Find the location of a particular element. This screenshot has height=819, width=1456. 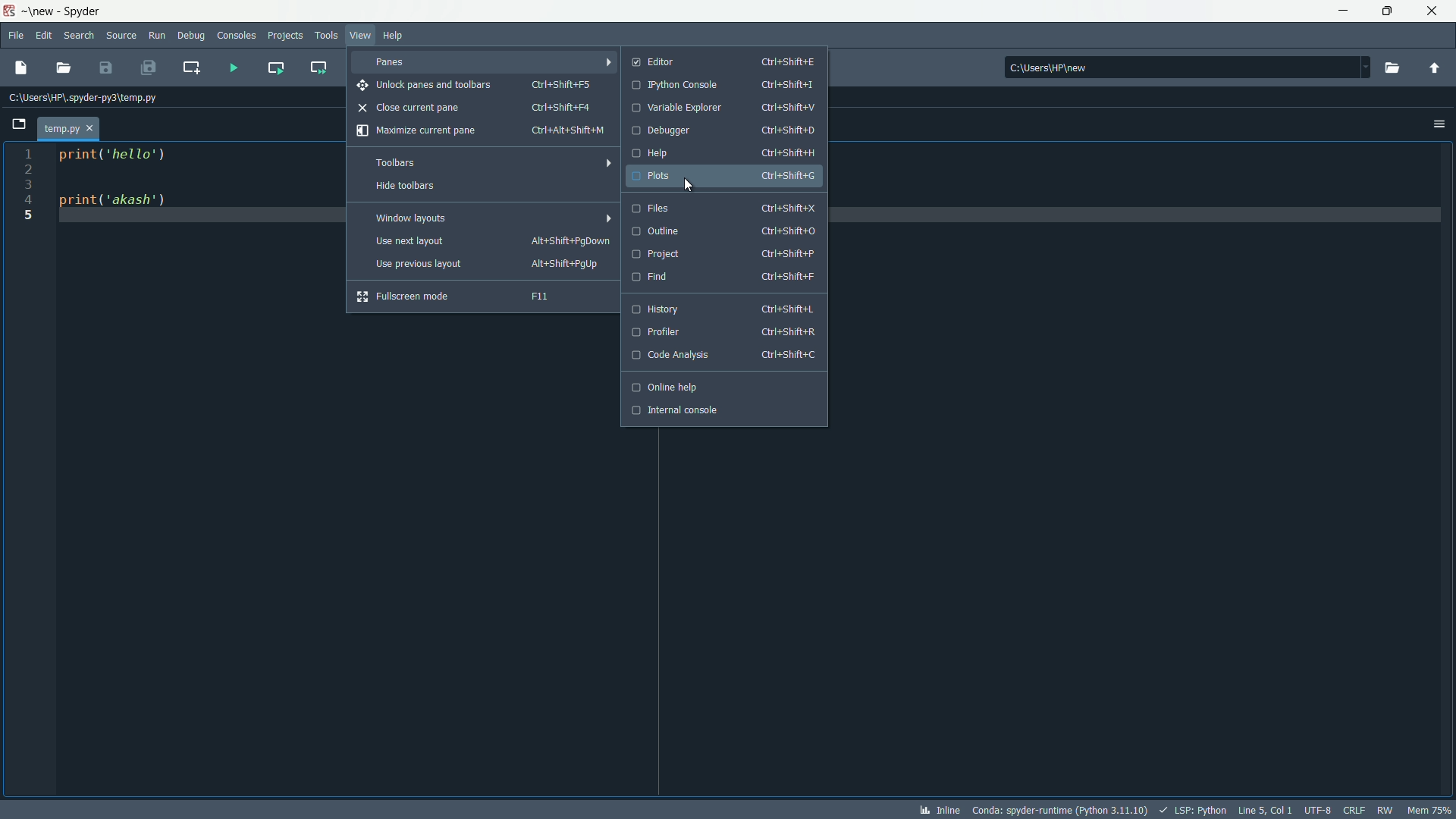

help menu is located at coordinates (391, 36).